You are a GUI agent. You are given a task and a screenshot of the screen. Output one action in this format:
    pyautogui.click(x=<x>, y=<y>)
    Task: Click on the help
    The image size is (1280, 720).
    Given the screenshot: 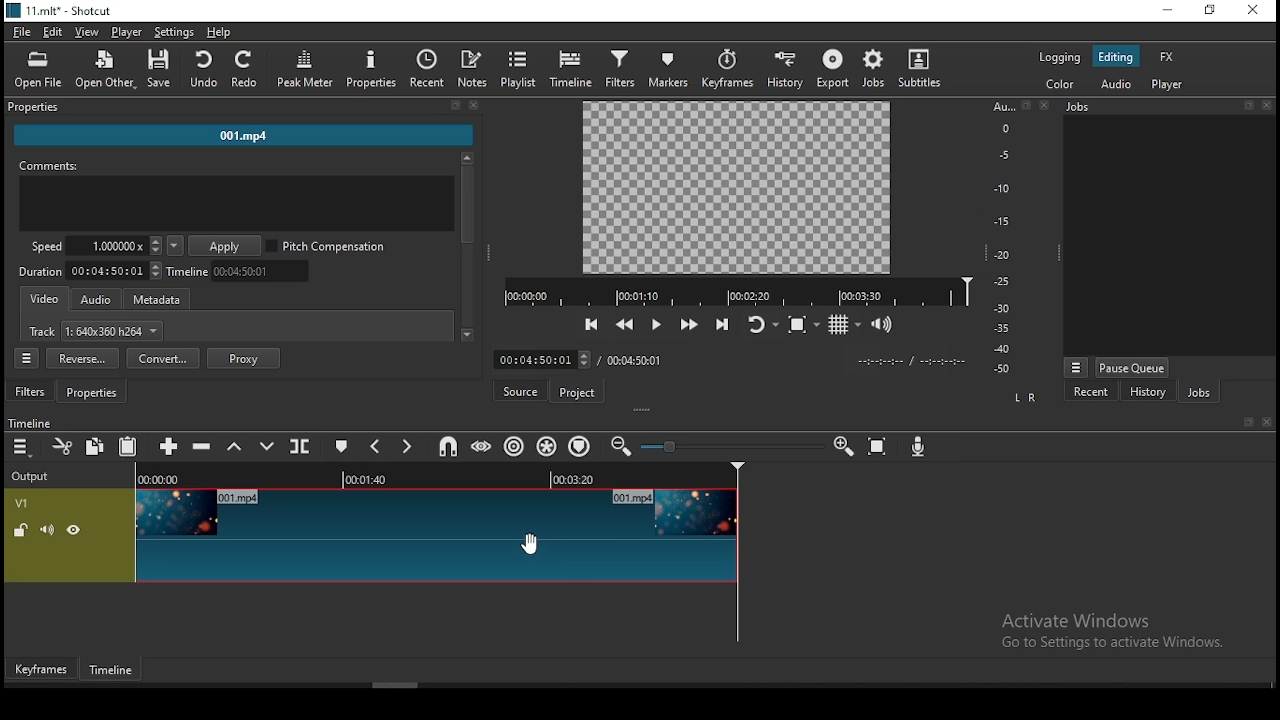 What is the action you would take?
    pyautogui.click(x=220, y=32)
    